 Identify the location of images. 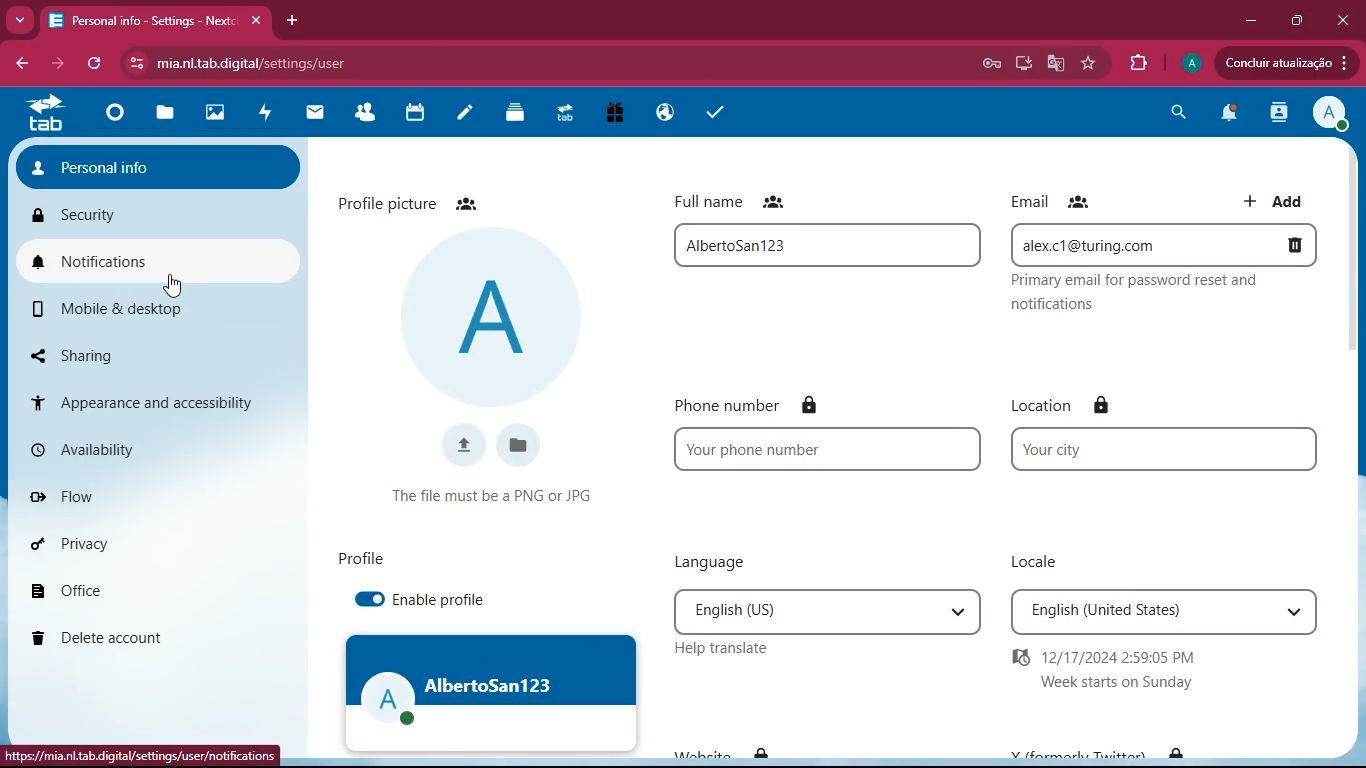
(214, 116).